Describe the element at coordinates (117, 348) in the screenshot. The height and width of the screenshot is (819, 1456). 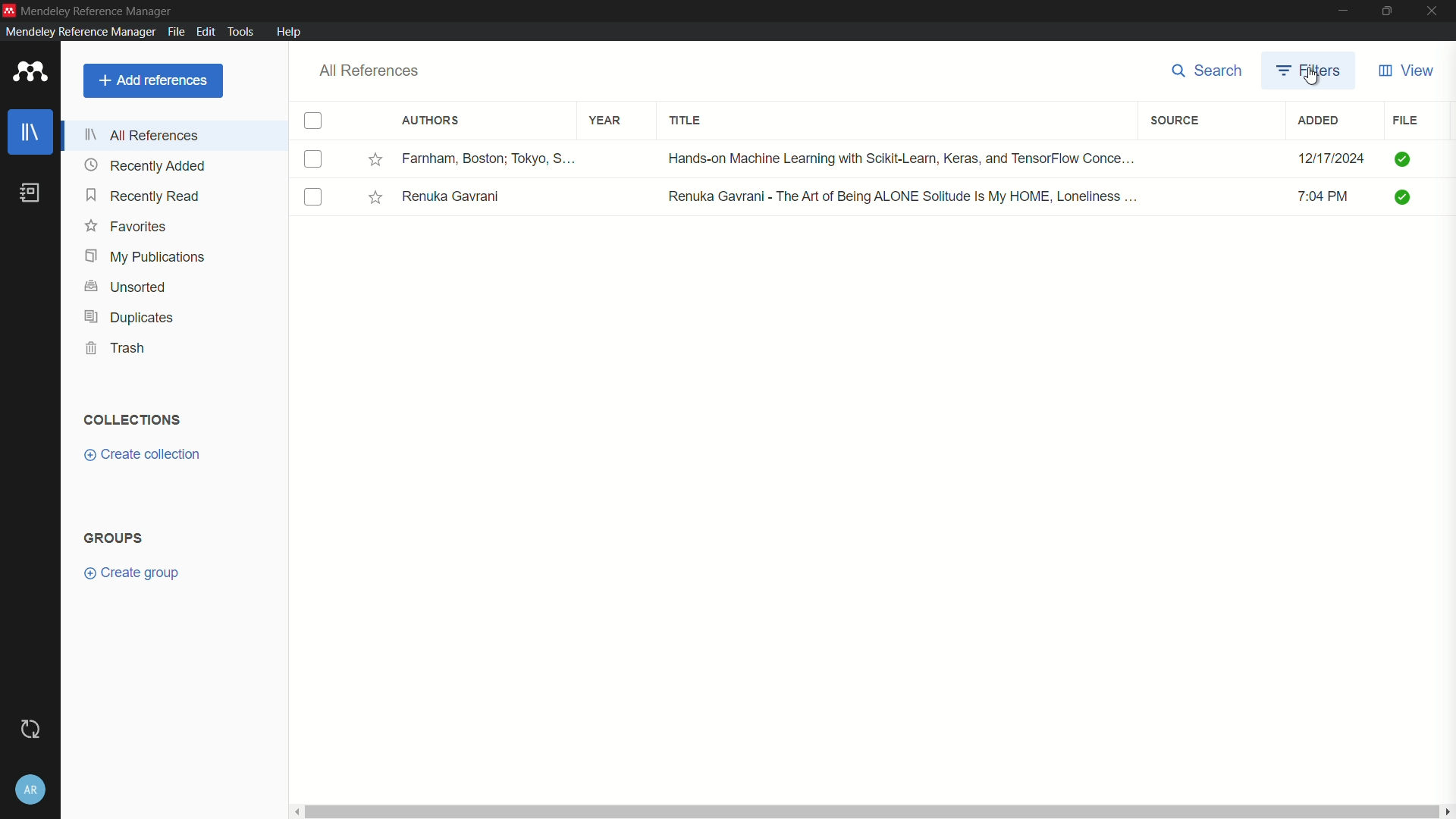
I see `trash` at that location.